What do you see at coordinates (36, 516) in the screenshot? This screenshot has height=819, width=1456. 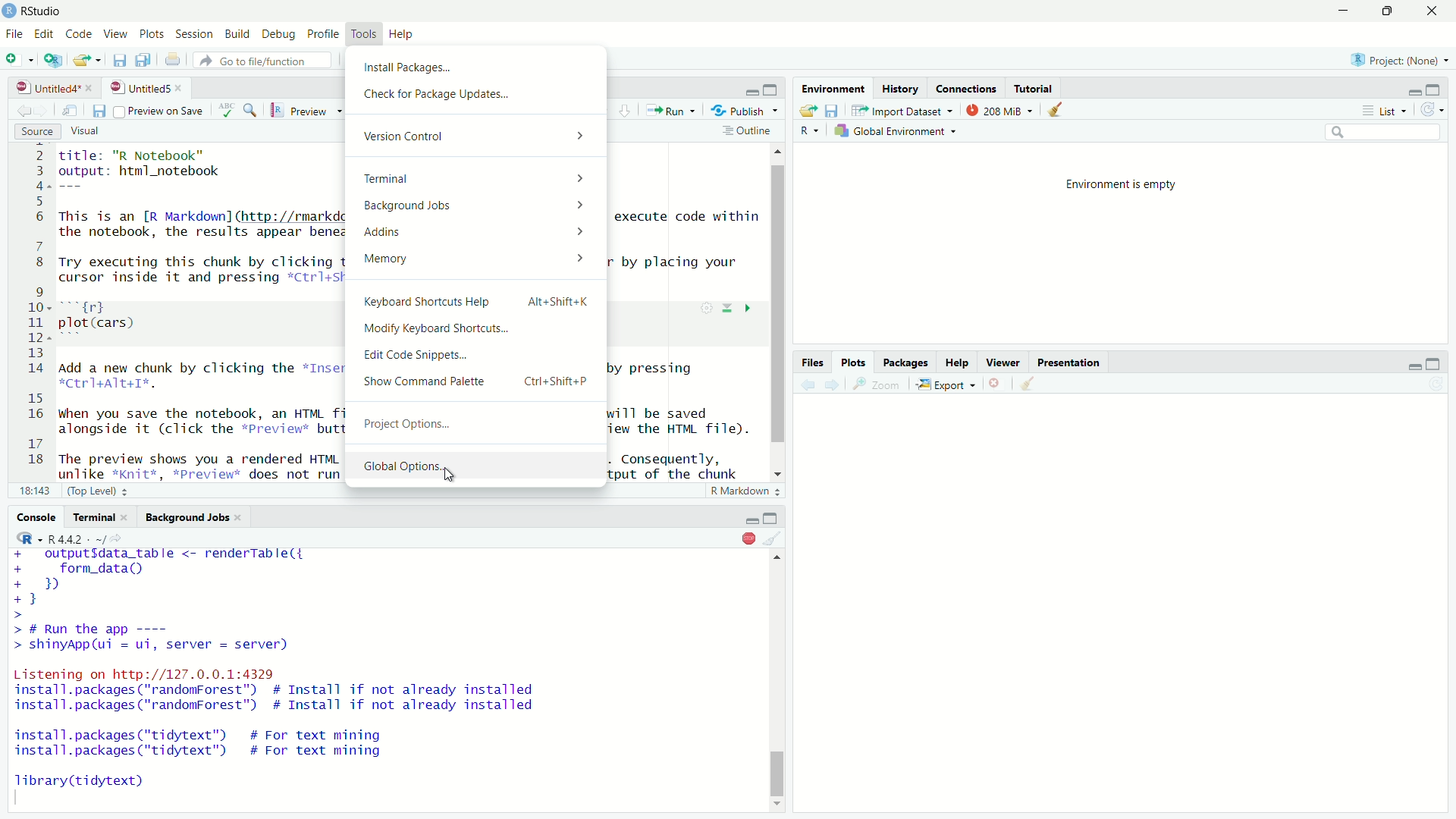 I see `Console` at bounding box center [36, 516].